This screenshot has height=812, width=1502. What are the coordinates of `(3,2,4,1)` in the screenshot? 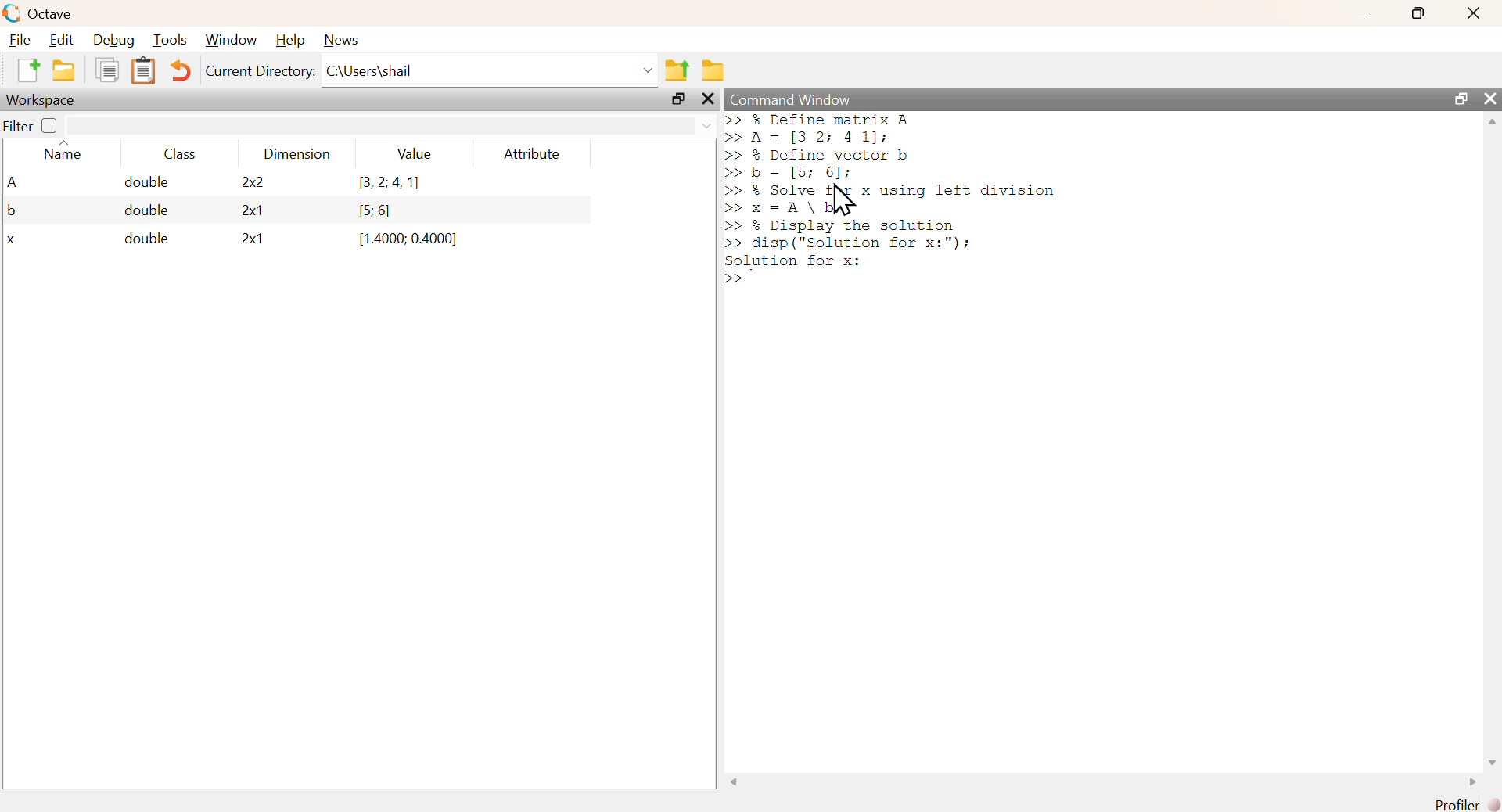 It's located at (383, 184).